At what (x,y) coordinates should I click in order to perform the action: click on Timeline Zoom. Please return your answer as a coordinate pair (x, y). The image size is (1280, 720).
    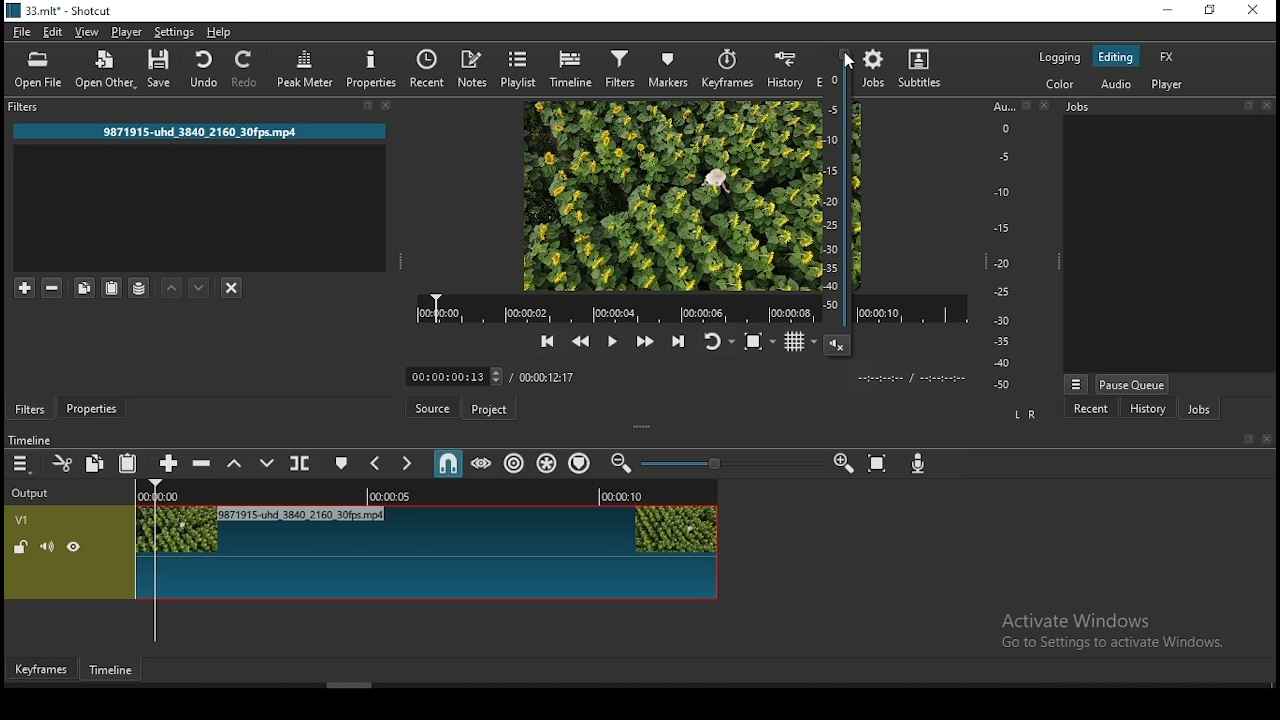
    Looking at the image, I should click on (732, 464).